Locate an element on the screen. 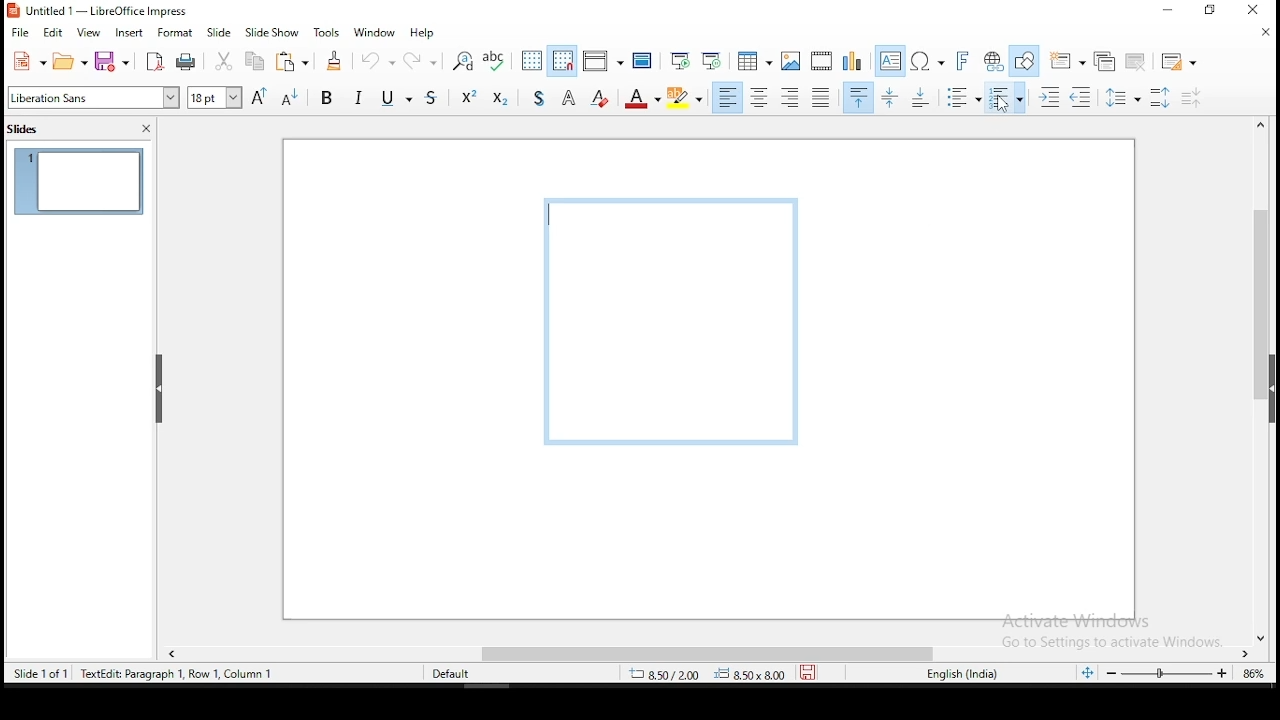 The height and width of the screenshot is (720, 1280). icon and filename is located at coordinates (104, 12).